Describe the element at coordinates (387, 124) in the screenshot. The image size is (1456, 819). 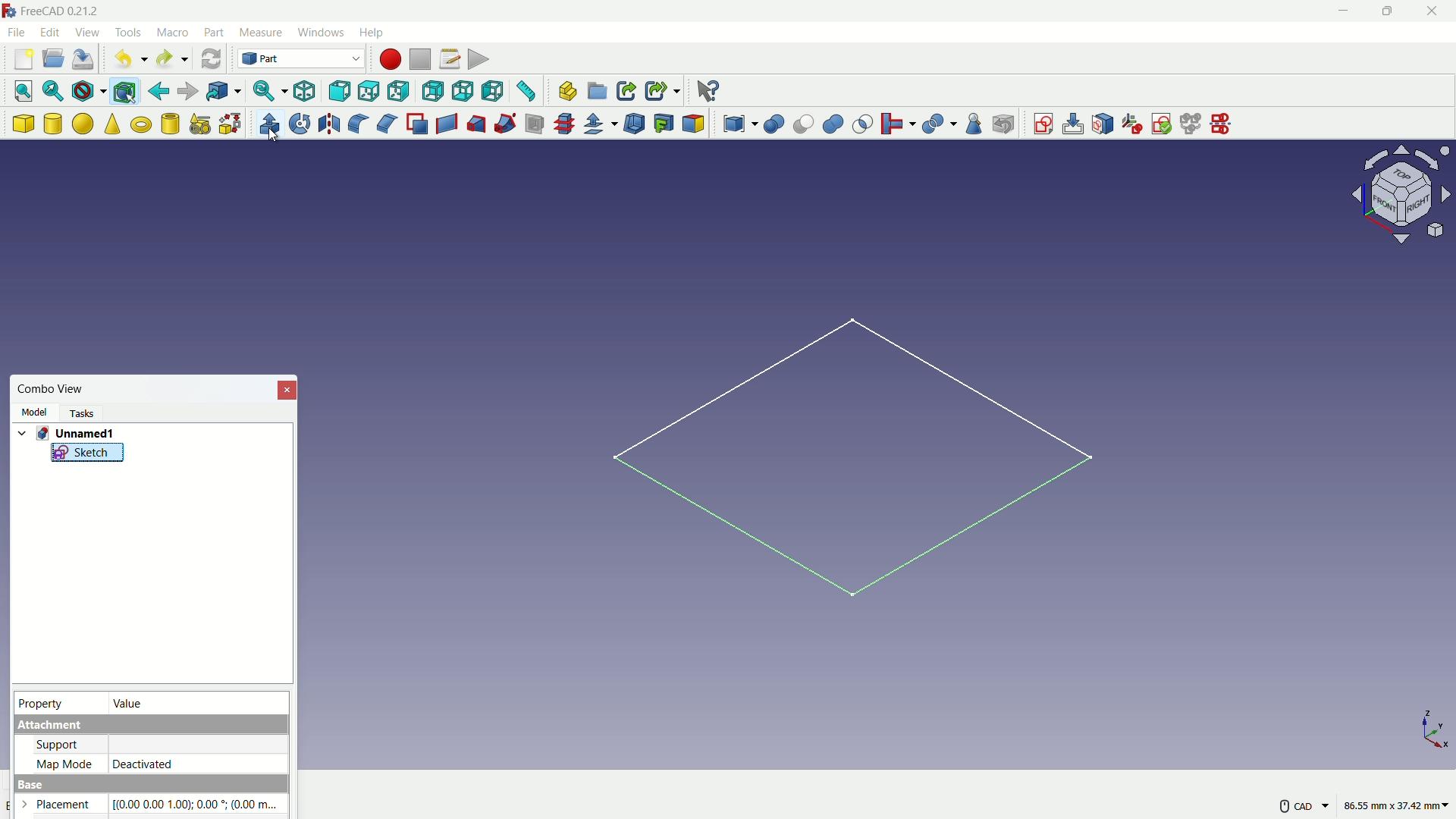
I see `chamfer` at that location.